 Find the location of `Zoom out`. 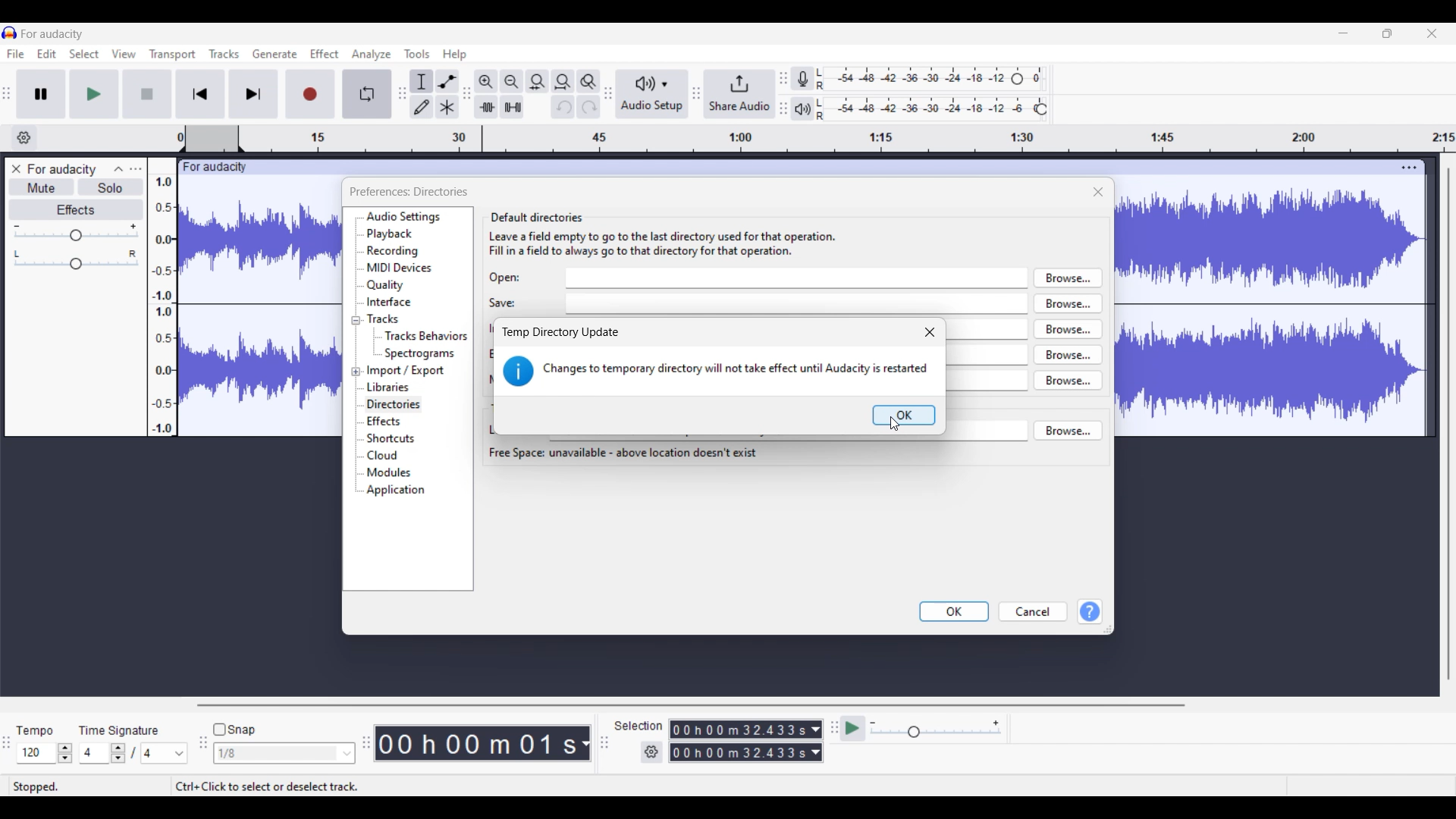

Zoom out is located at coordinates (512, 82).